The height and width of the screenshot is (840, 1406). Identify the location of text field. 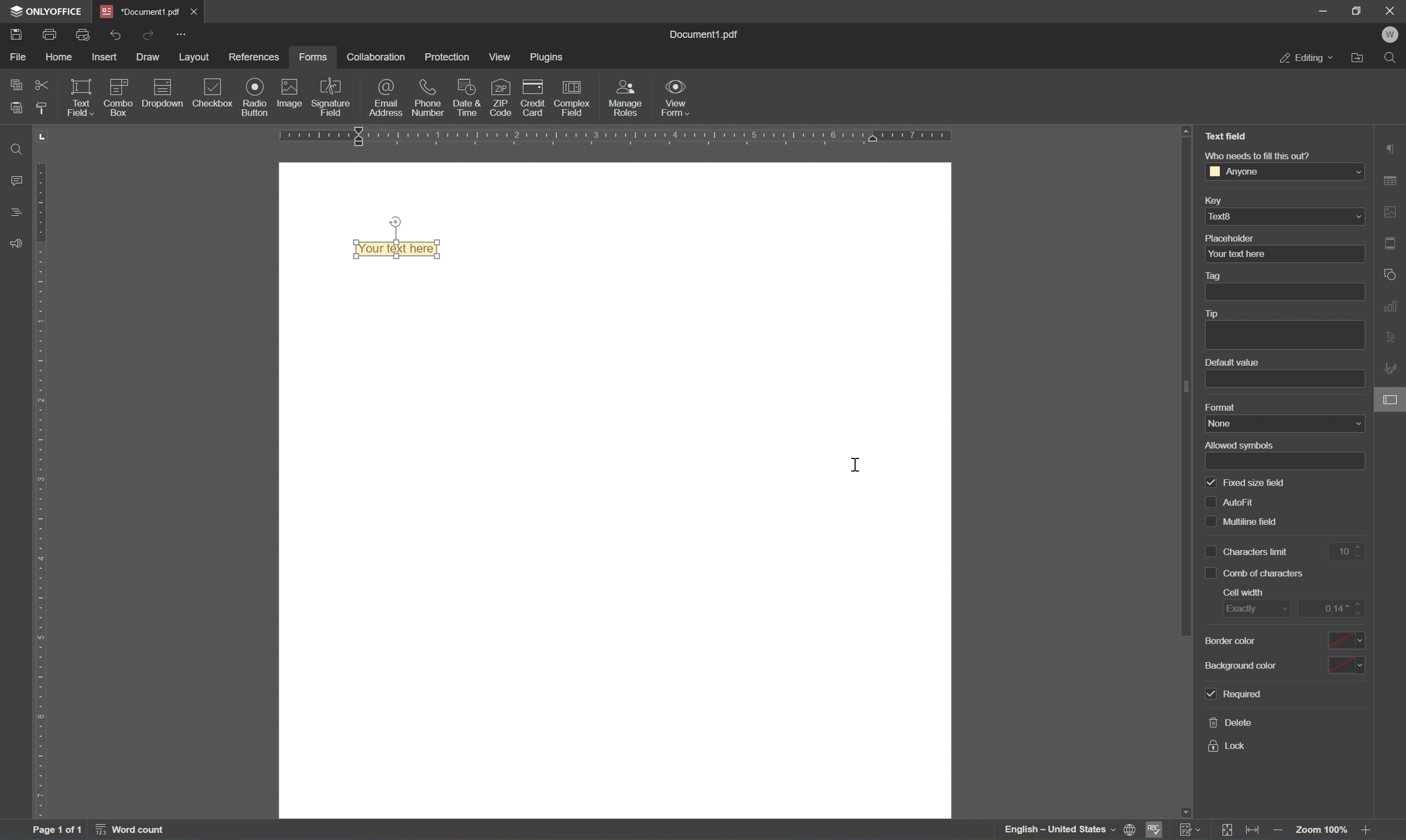
(84, 97).